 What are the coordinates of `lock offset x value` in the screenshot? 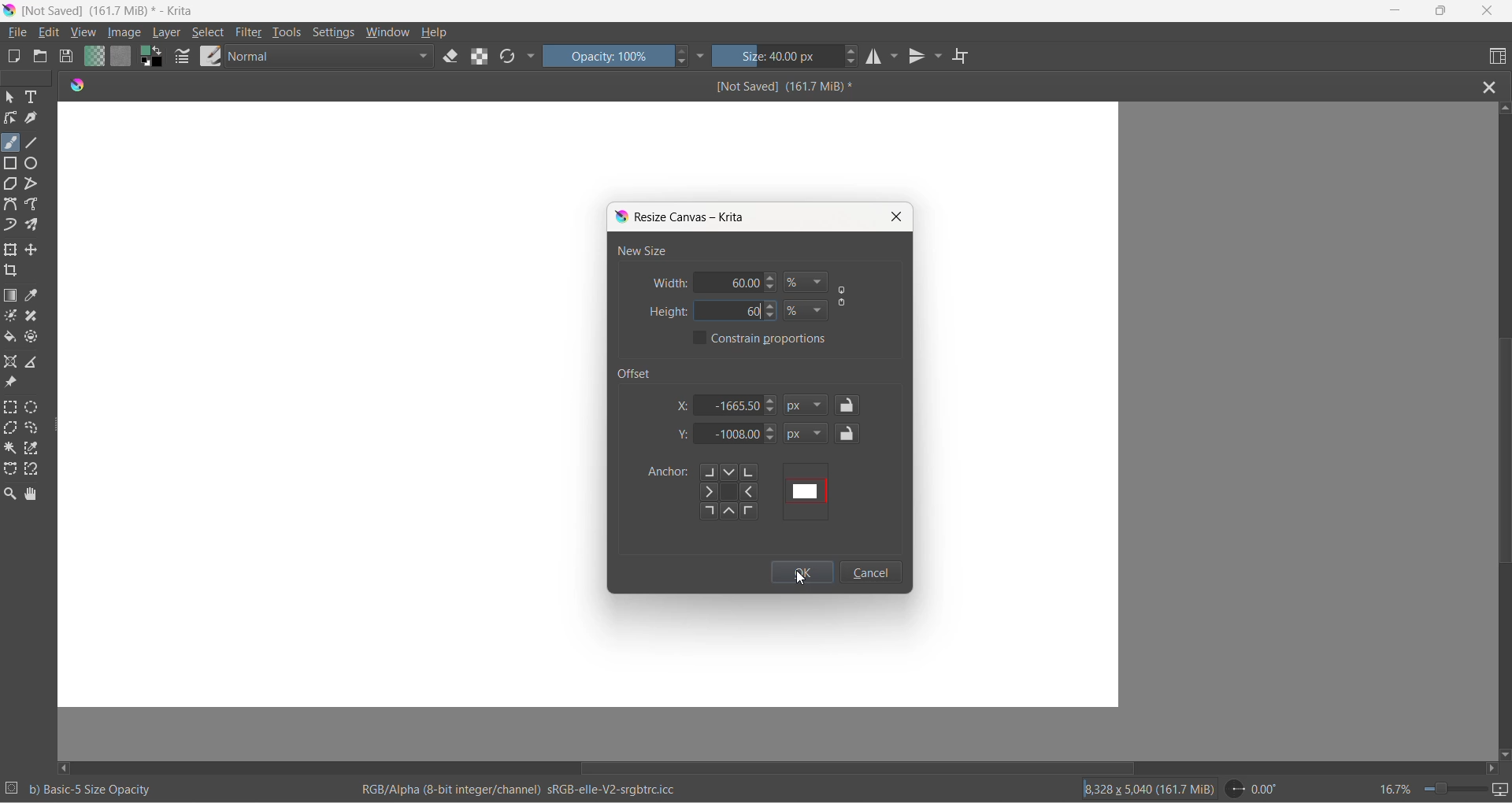 It's located at (848, 405).